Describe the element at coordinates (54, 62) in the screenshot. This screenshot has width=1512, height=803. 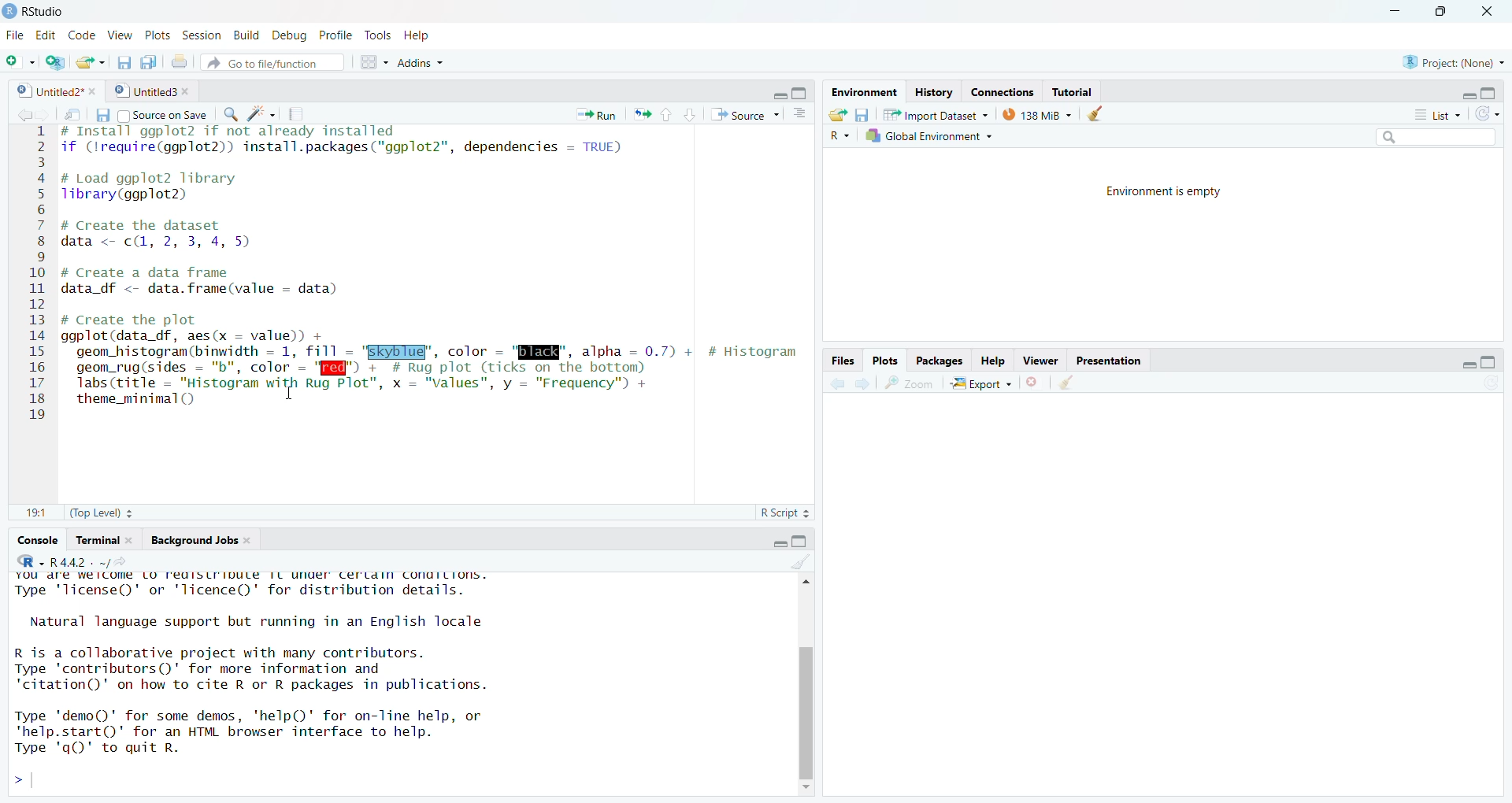
I see `create project` at that location.